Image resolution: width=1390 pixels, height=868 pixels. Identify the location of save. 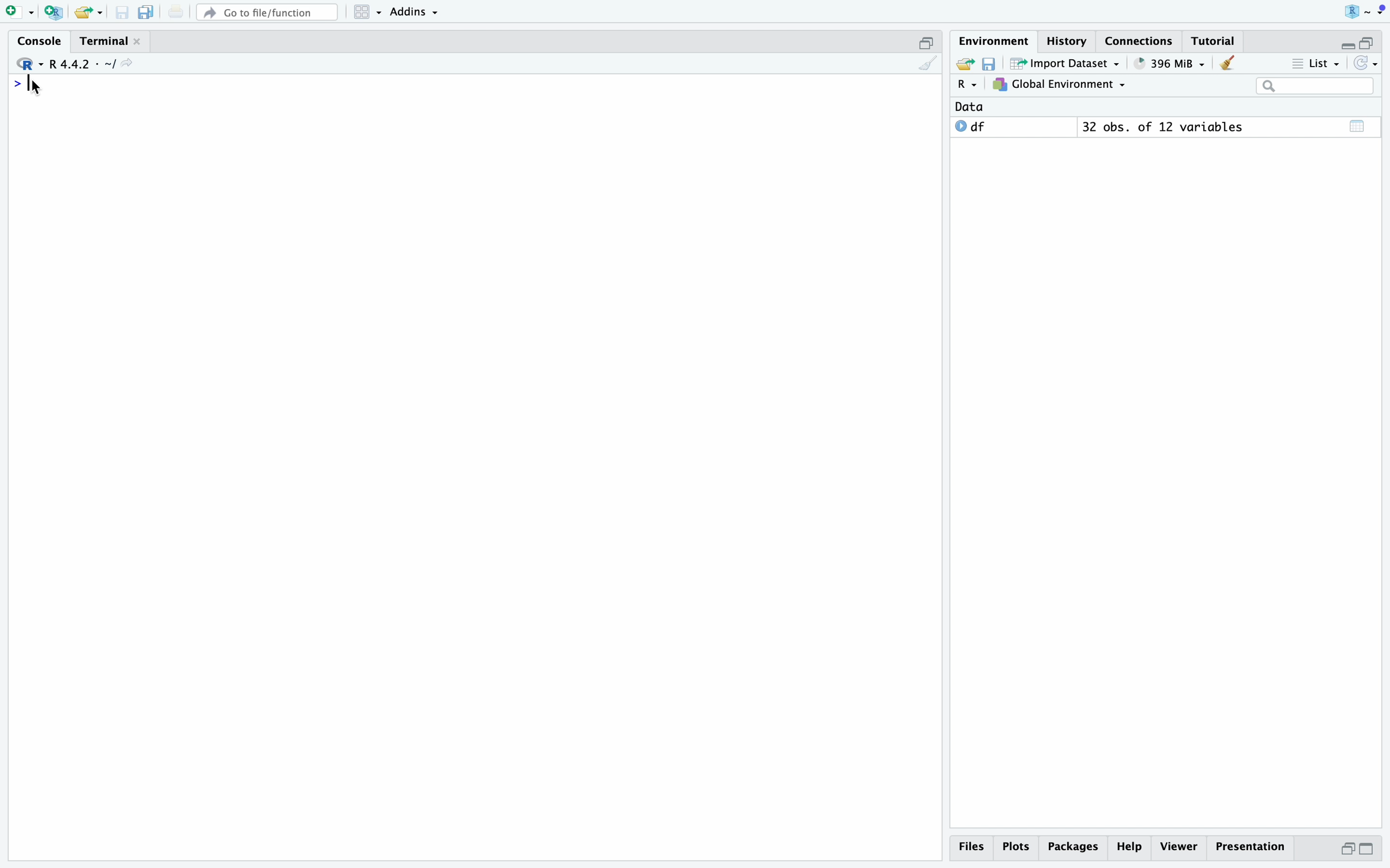
(989, 64).